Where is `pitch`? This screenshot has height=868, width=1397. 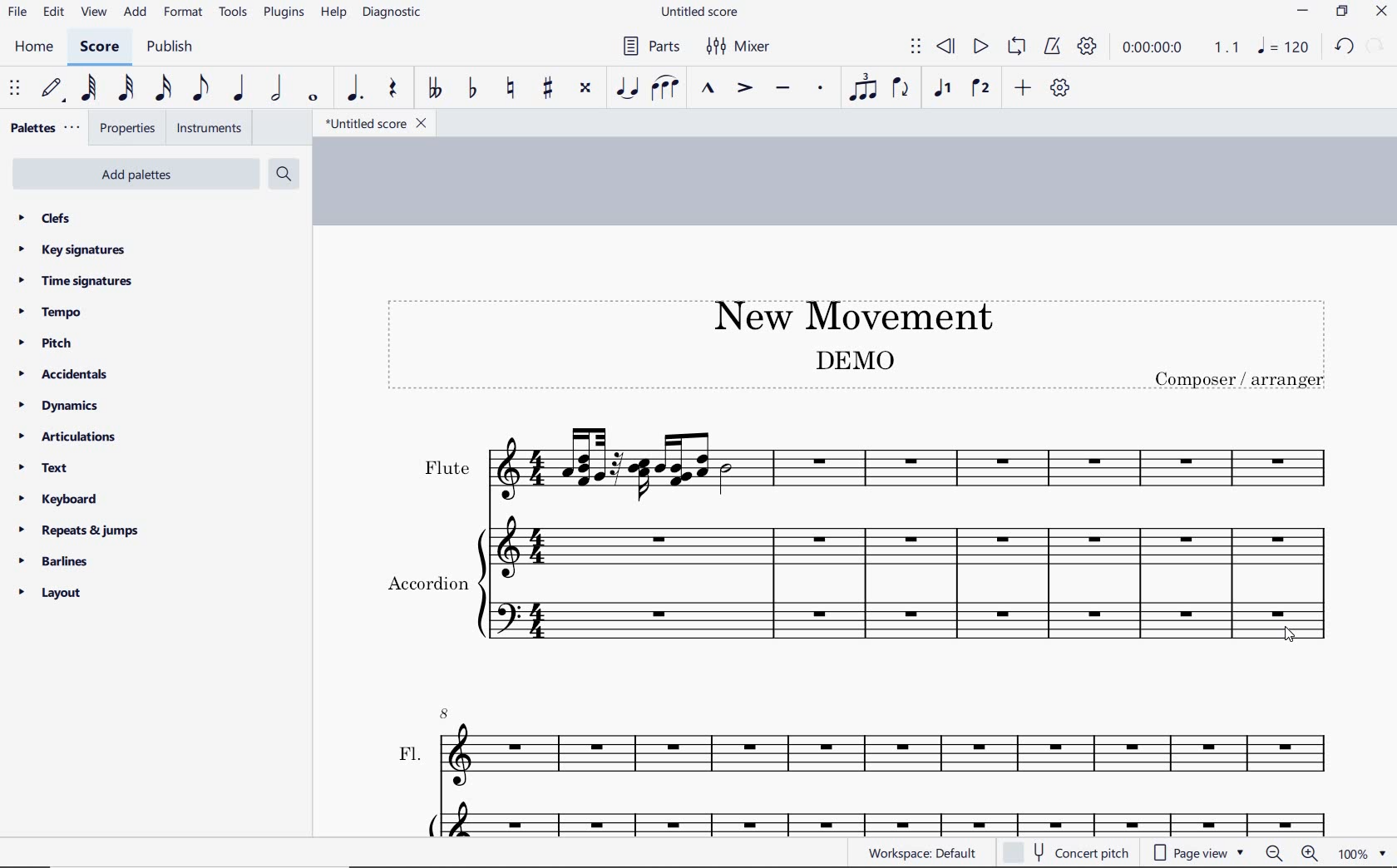
pitch is located at coordinates (52, 343).